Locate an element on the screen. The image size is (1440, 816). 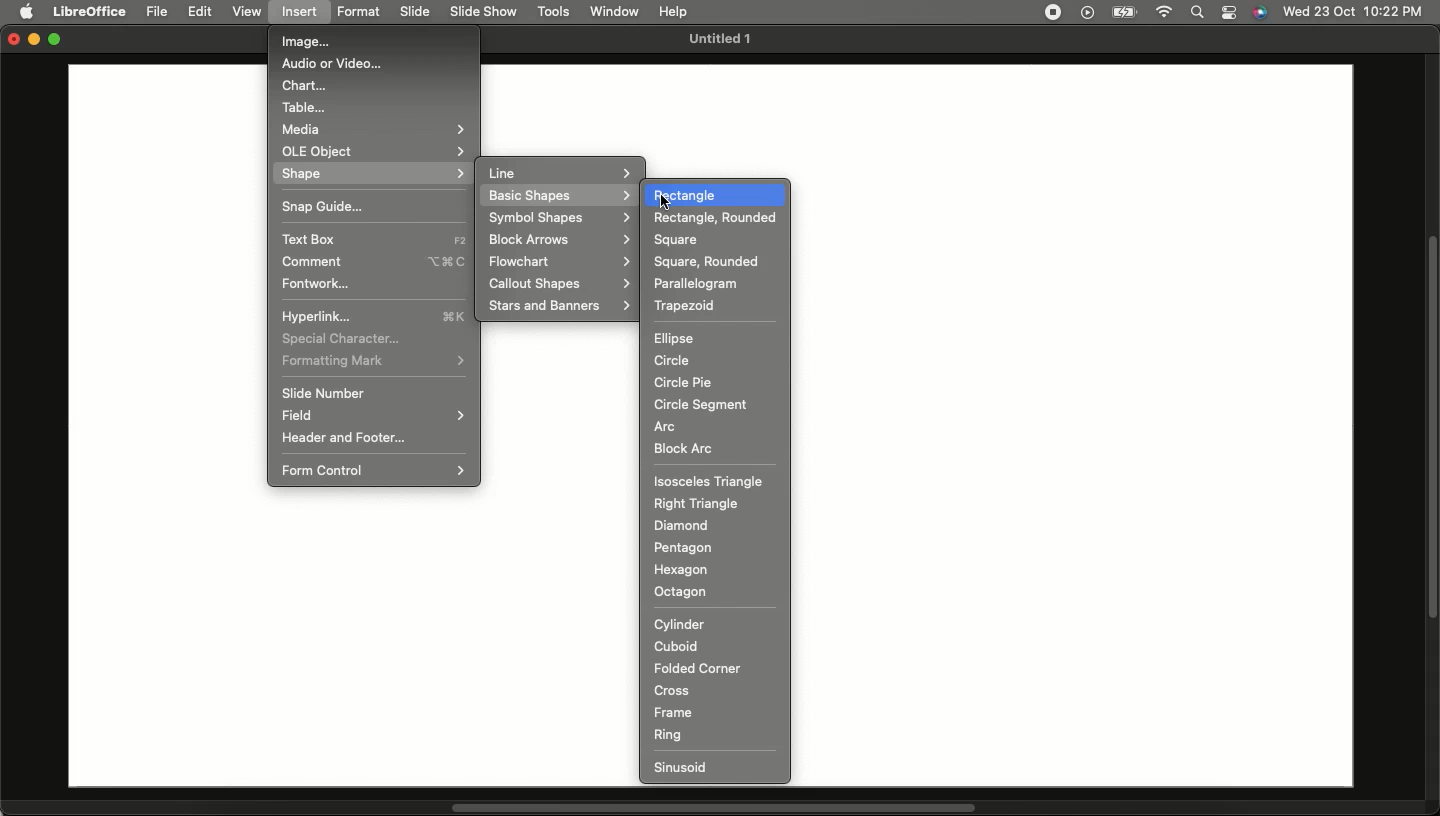
Slide show is located at coordinates (483, 11).